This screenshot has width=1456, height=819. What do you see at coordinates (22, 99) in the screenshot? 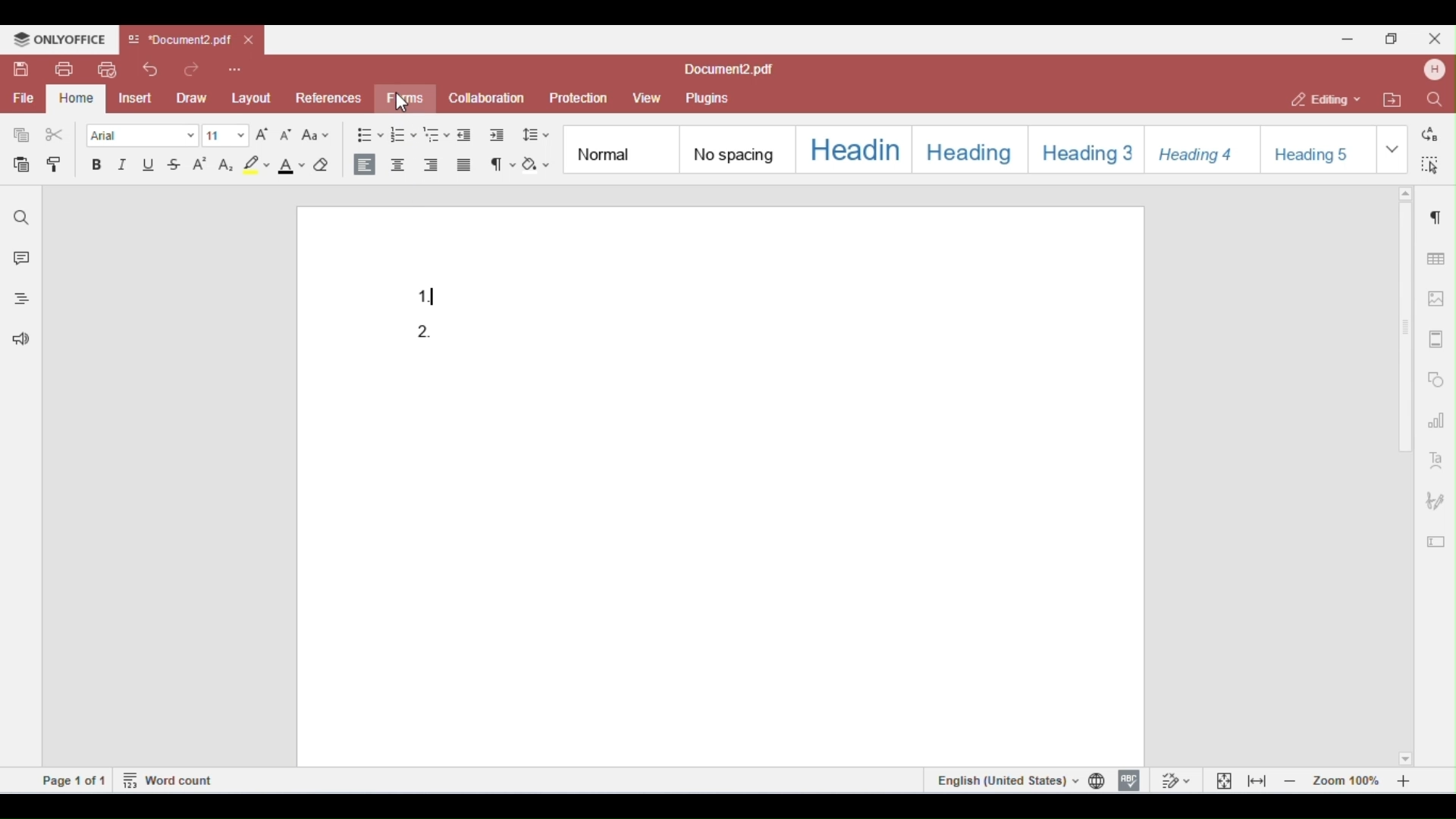
I see `file` at bounding box center [22, 99].